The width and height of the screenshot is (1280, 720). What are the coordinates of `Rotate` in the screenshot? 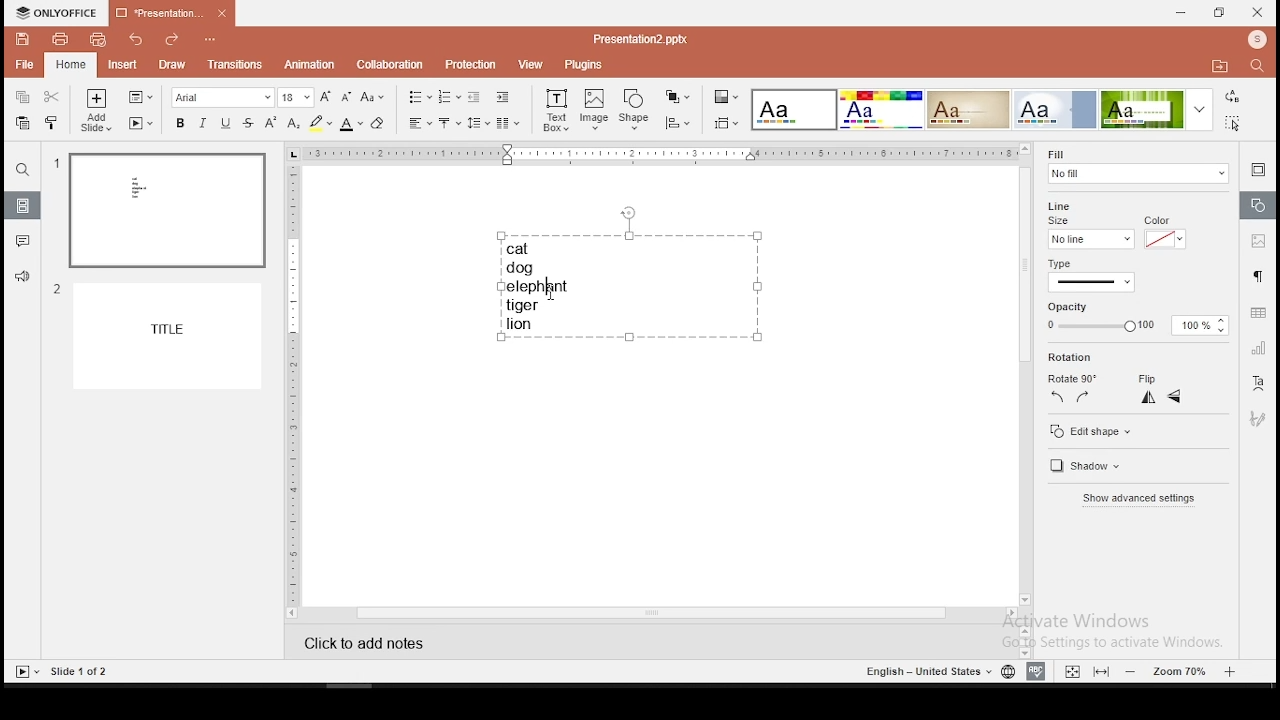 It's located at (1075, 392).